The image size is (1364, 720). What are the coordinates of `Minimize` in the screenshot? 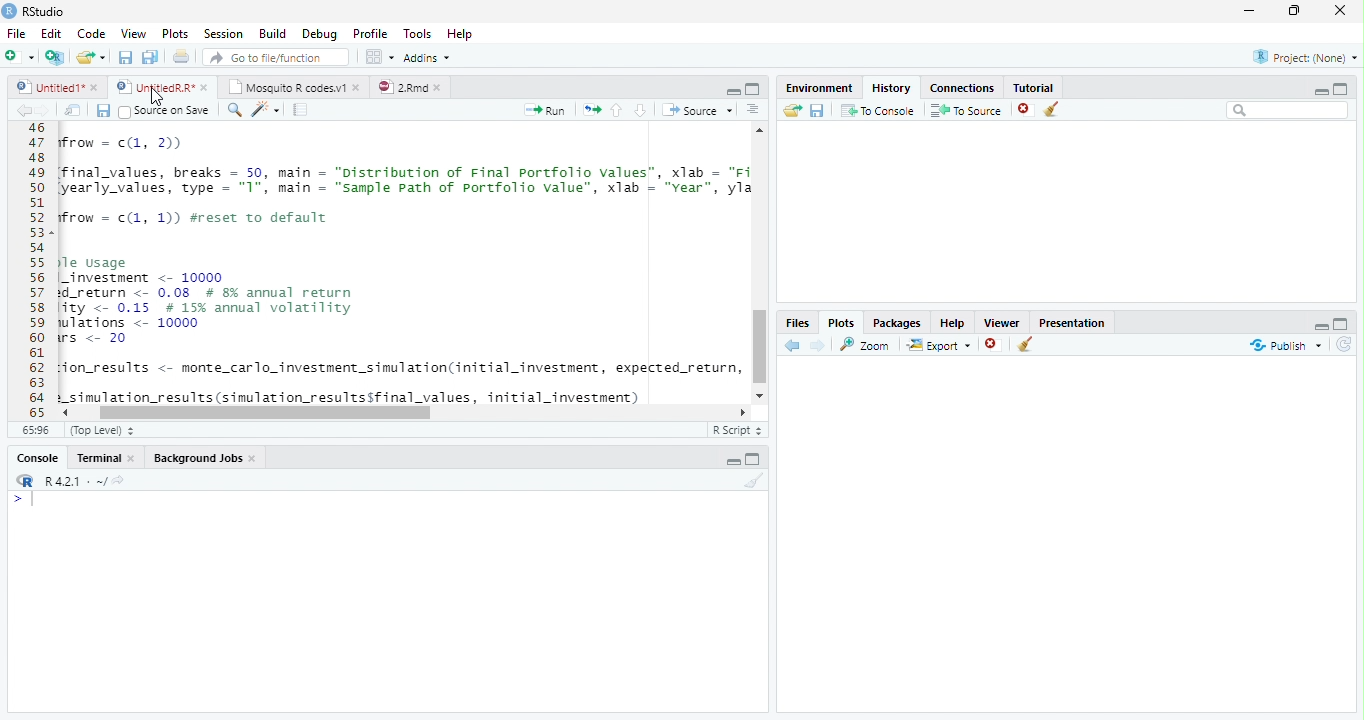 It's located at (1253, 12).